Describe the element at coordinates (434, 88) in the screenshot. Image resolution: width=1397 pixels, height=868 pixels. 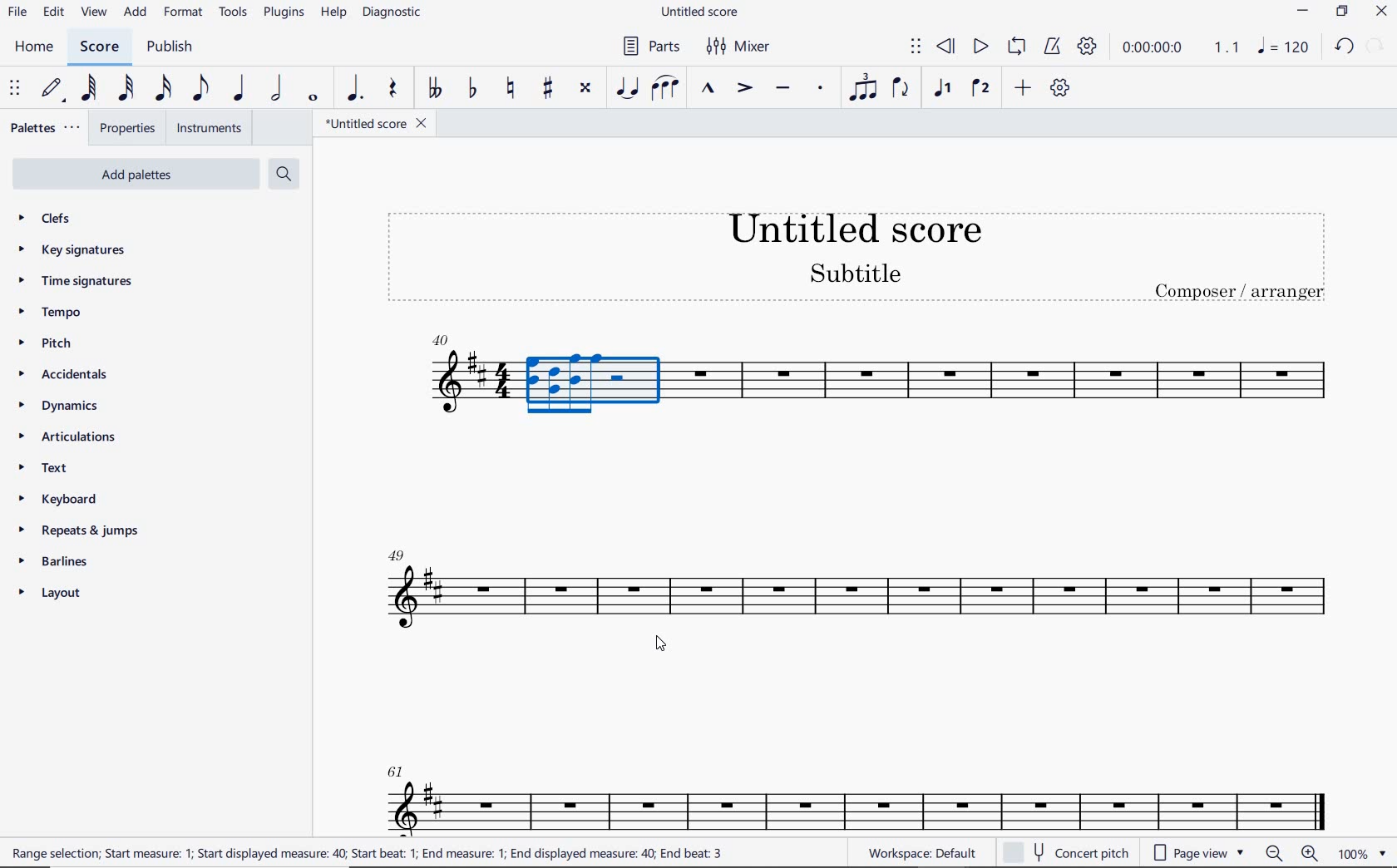
I see `TOGGLE-DOUBLE FLAT` at that location.